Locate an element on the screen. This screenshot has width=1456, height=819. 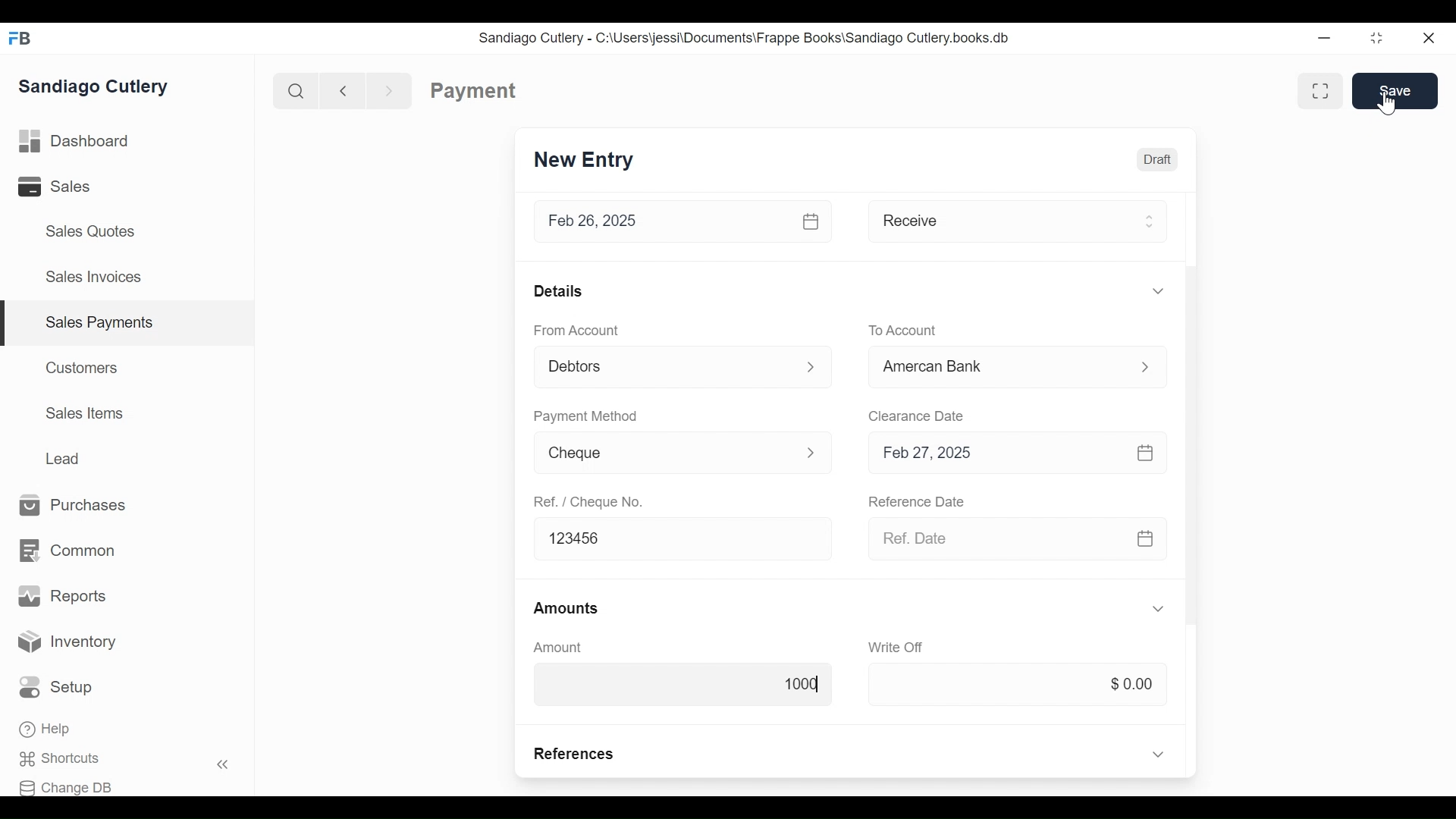
Cash is located at coordinates (995, 366).